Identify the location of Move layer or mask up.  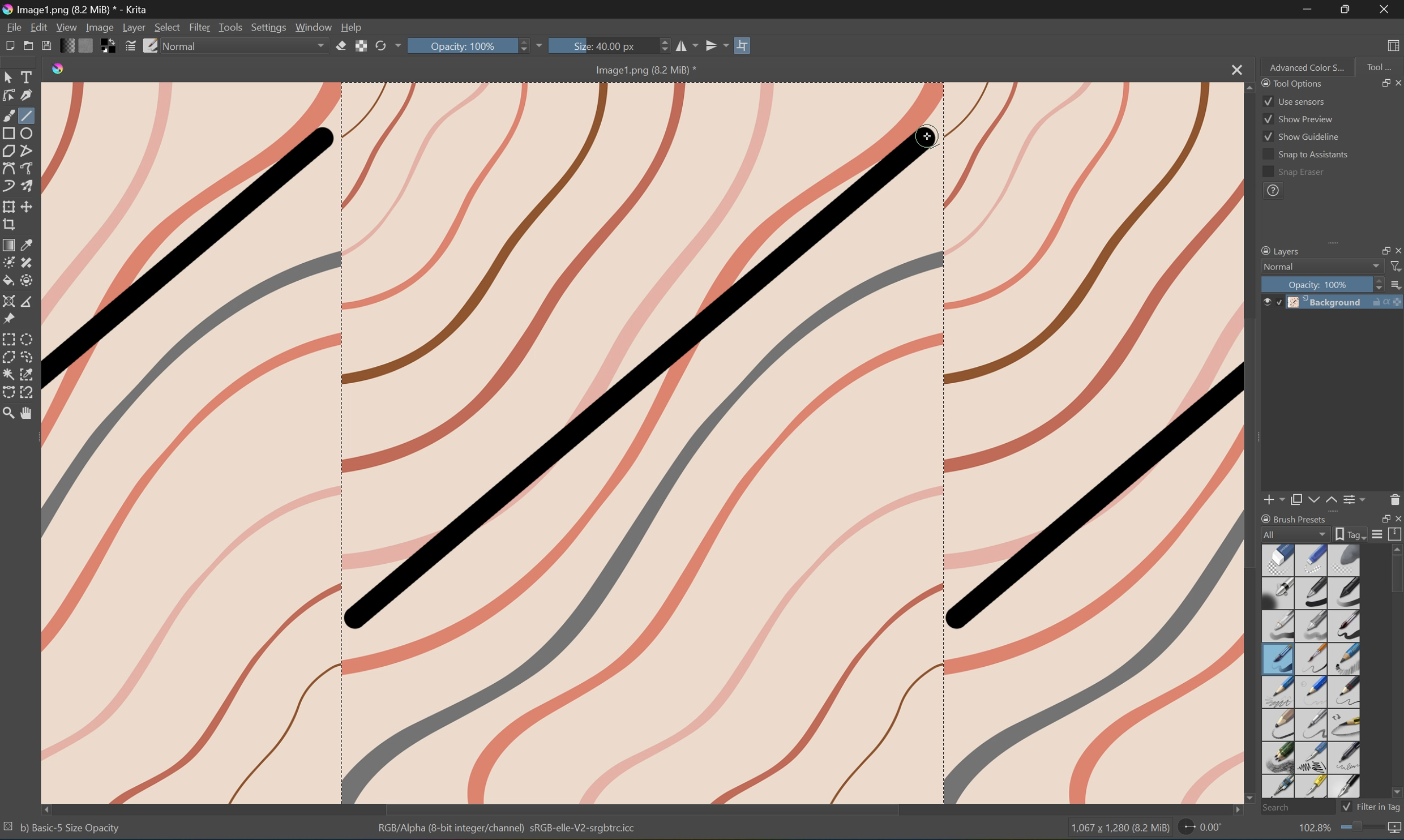
(1332, 500).